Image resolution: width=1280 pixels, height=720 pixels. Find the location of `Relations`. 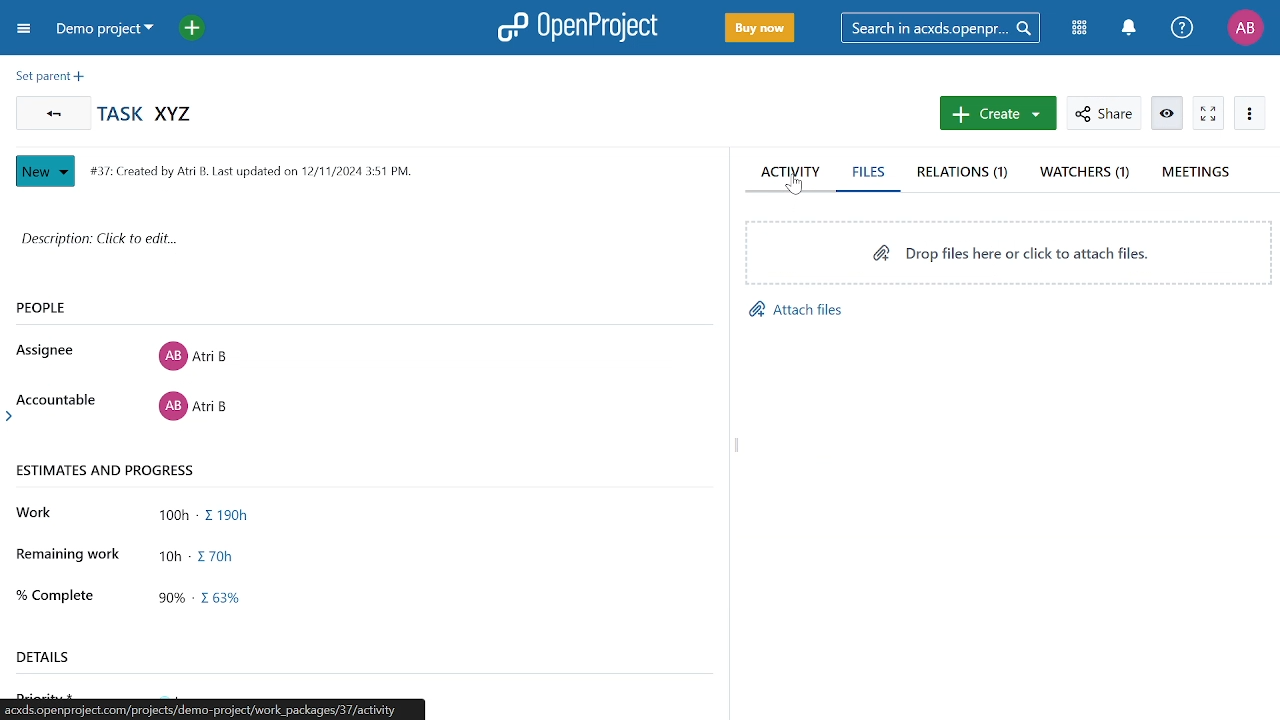

Relations is located at coordinates (965, 173).